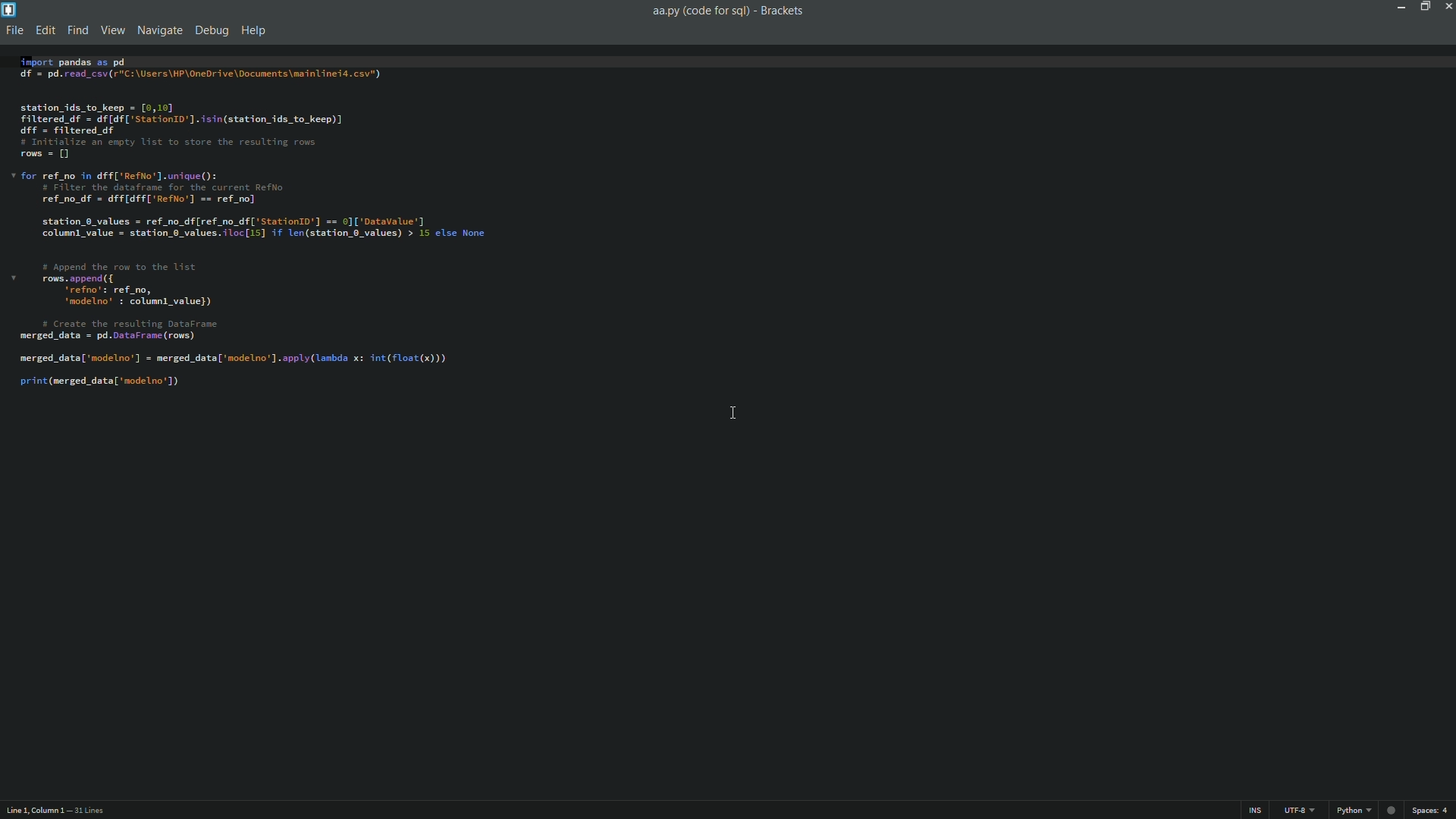  What do you see at coordinates (45, 31) in the screenshot?
I see `edit menu` at bounding box center [45, 31].